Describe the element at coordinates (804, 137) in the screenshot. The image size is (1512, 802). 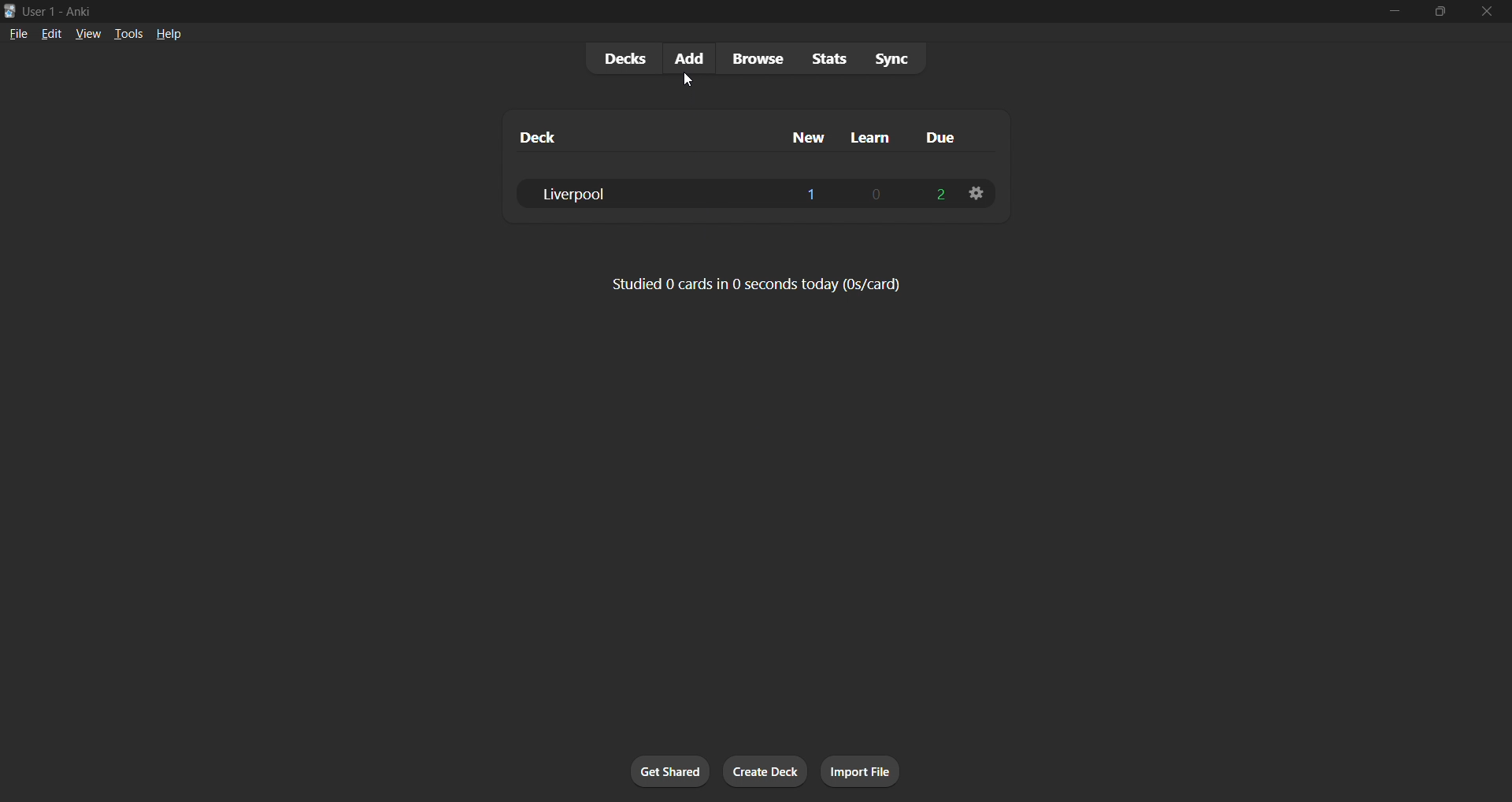
I see `new ` at that location.